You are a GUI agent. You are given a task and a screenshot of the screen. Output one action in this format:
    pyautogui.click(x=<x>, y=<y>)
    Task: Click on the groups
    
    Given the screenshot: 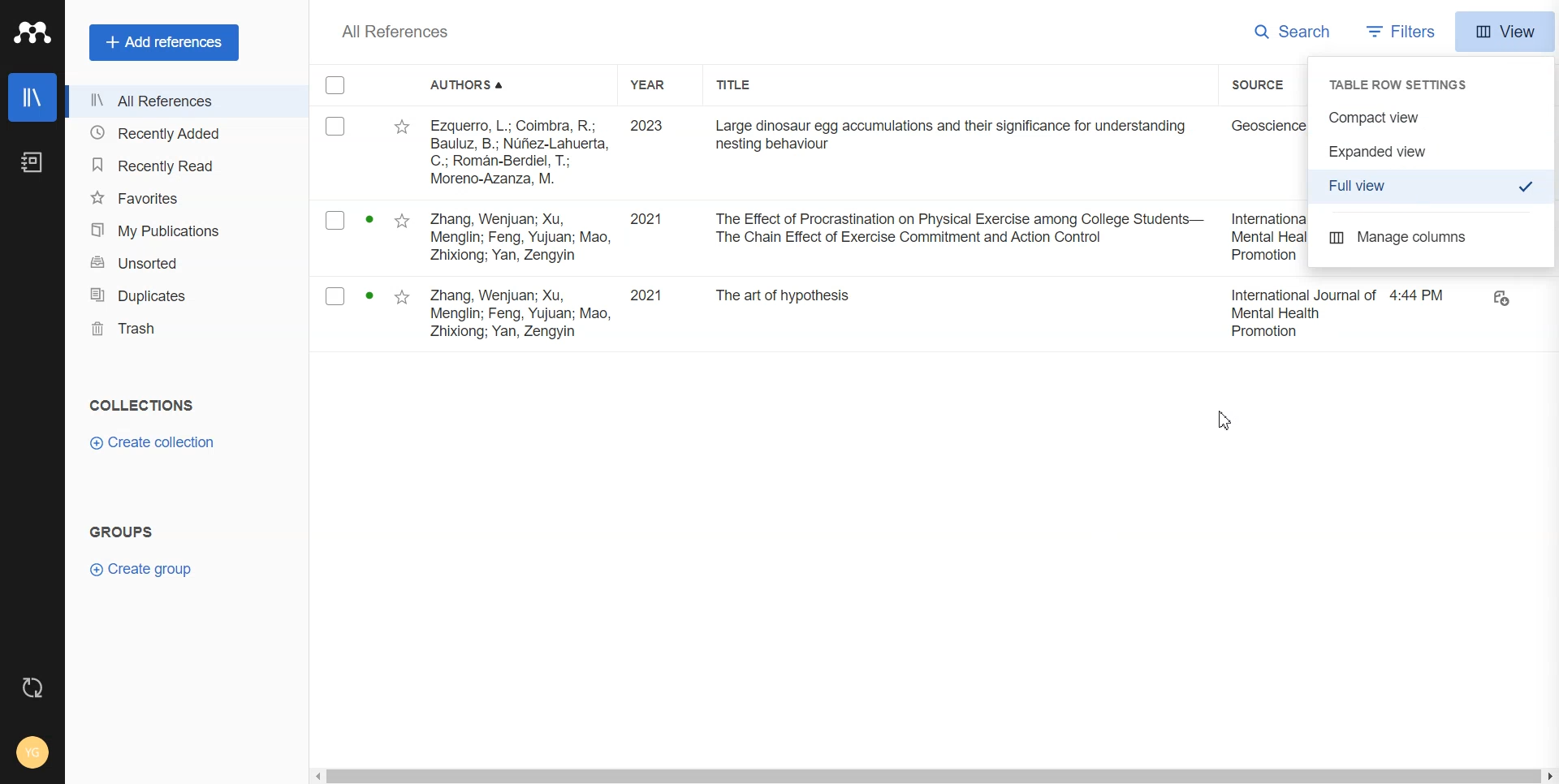 What is the action you would take?
    pyautogui.click(x=126, y=532)
    